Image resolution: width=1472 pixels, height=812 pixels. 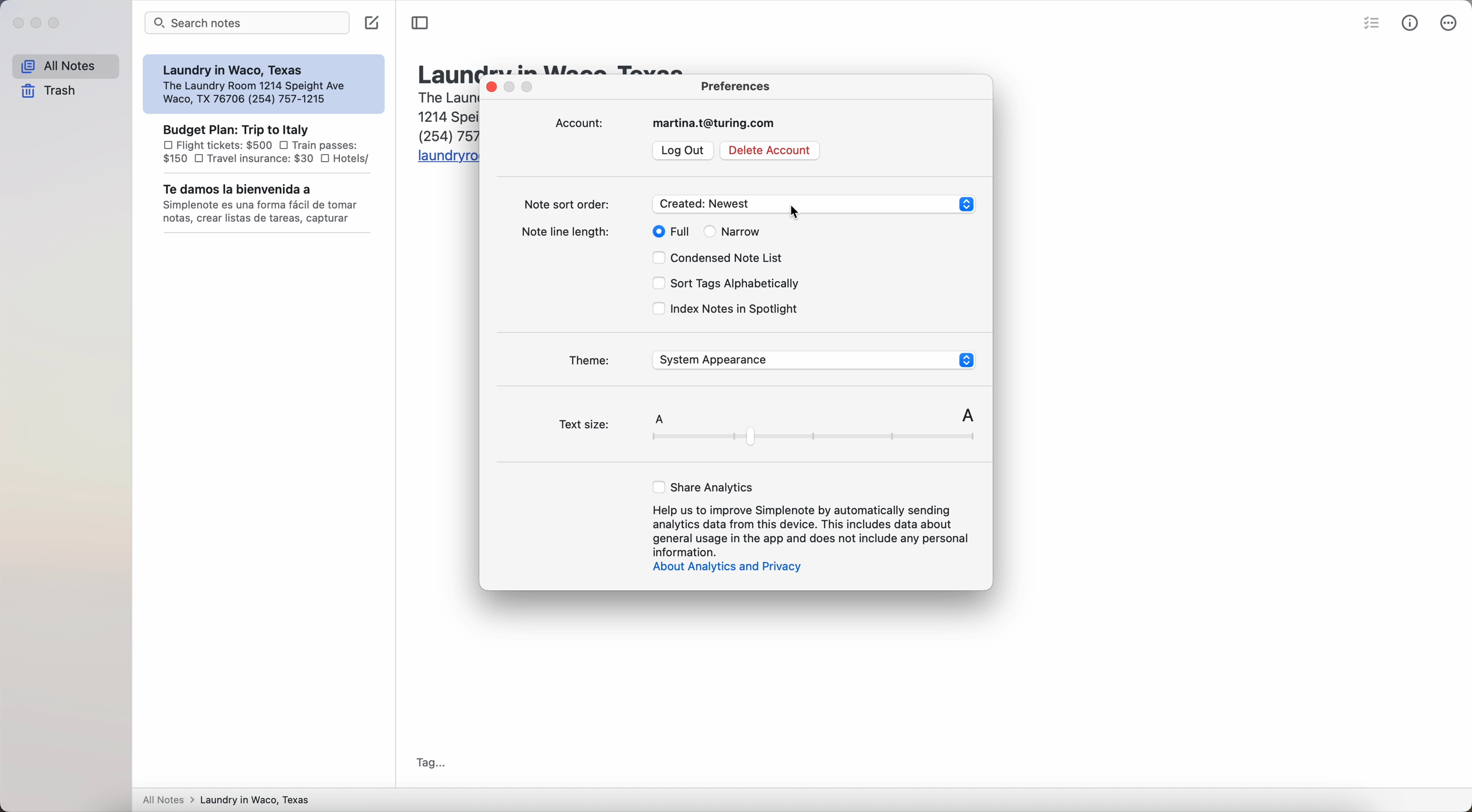 What do you see at coordinates (49, 91) in the screenshot?
I see `trash` at bounding box center [49, 91].